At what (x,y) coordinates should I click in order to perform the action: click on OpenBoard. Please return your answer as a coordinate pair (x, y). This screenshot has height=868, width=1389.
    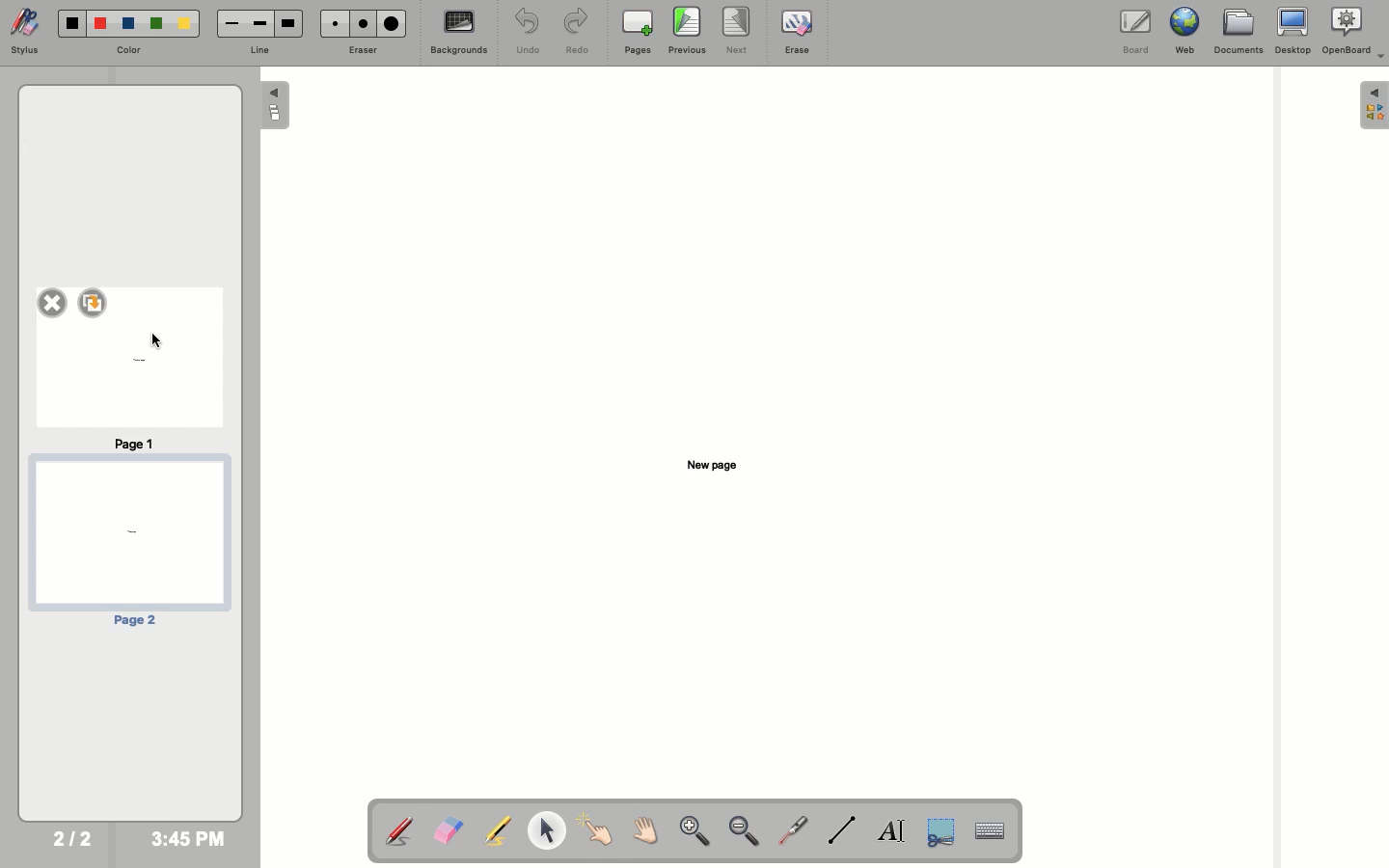
    Looking at the image, I should click on (1354, 31).